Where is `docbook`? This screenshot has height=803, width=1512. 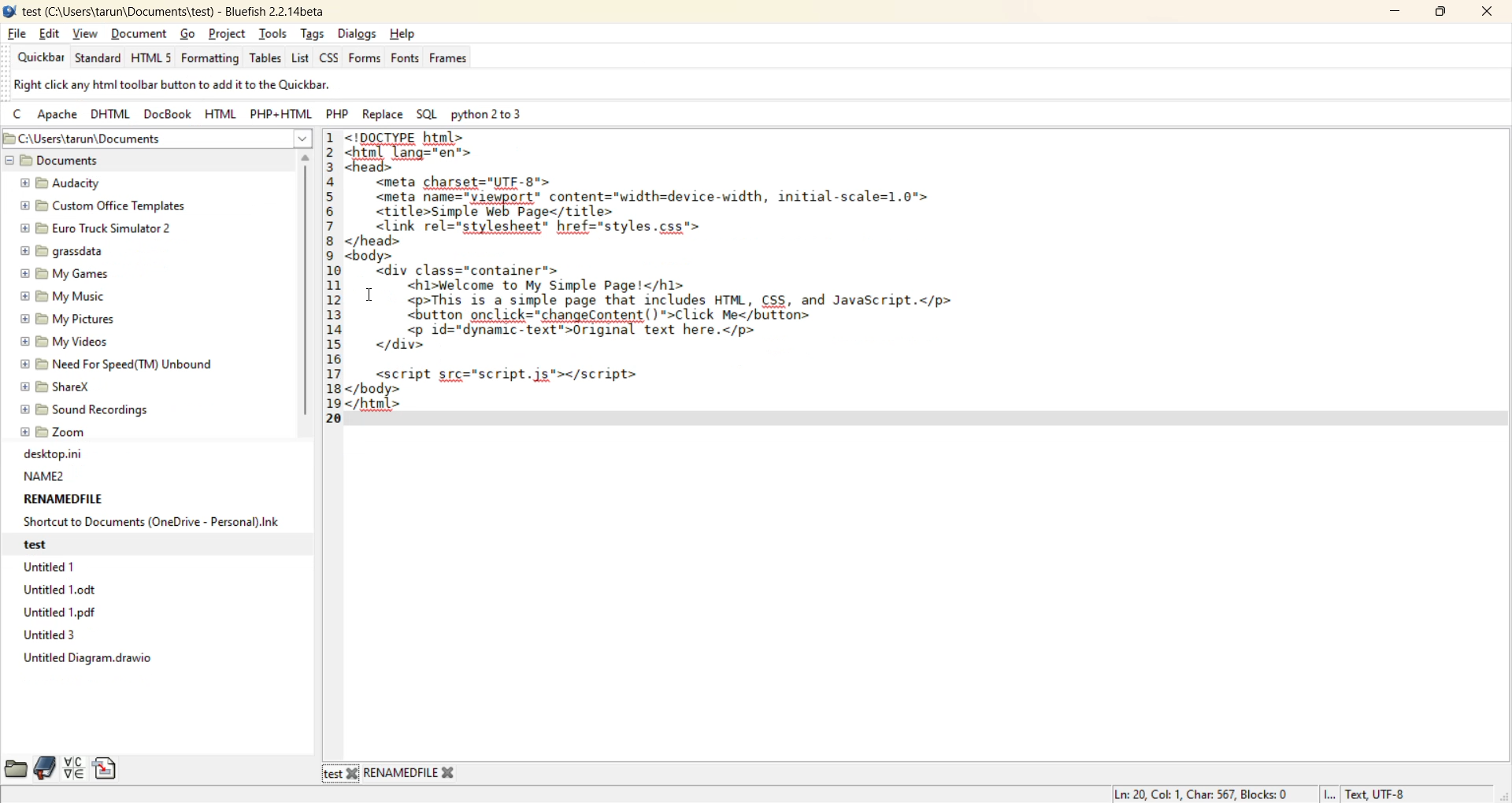
docbook is located at coordinates (165, 113).